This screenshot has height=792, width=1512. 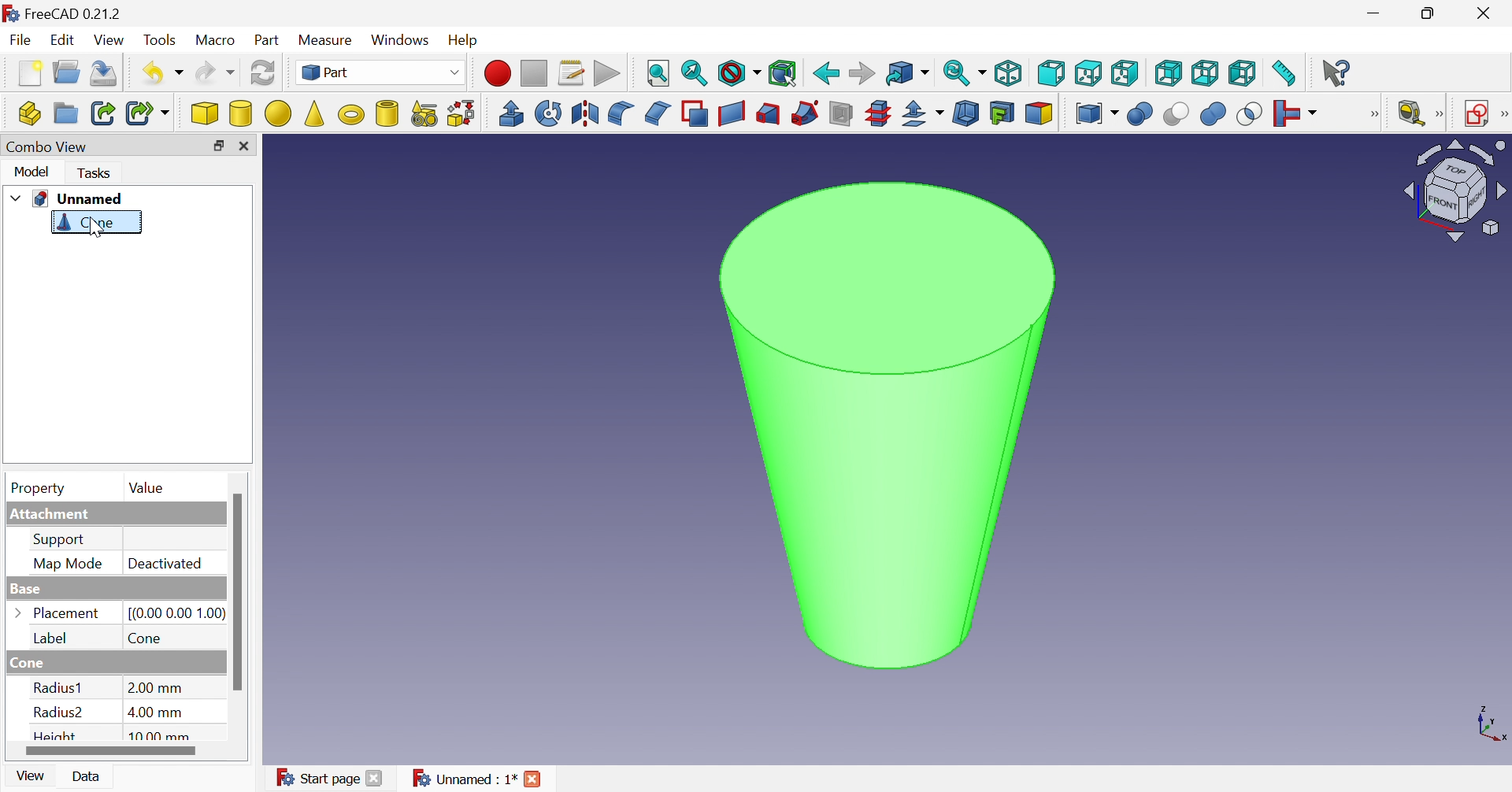 I want to click on x, y, z axis, so click(x=1489, y=727).